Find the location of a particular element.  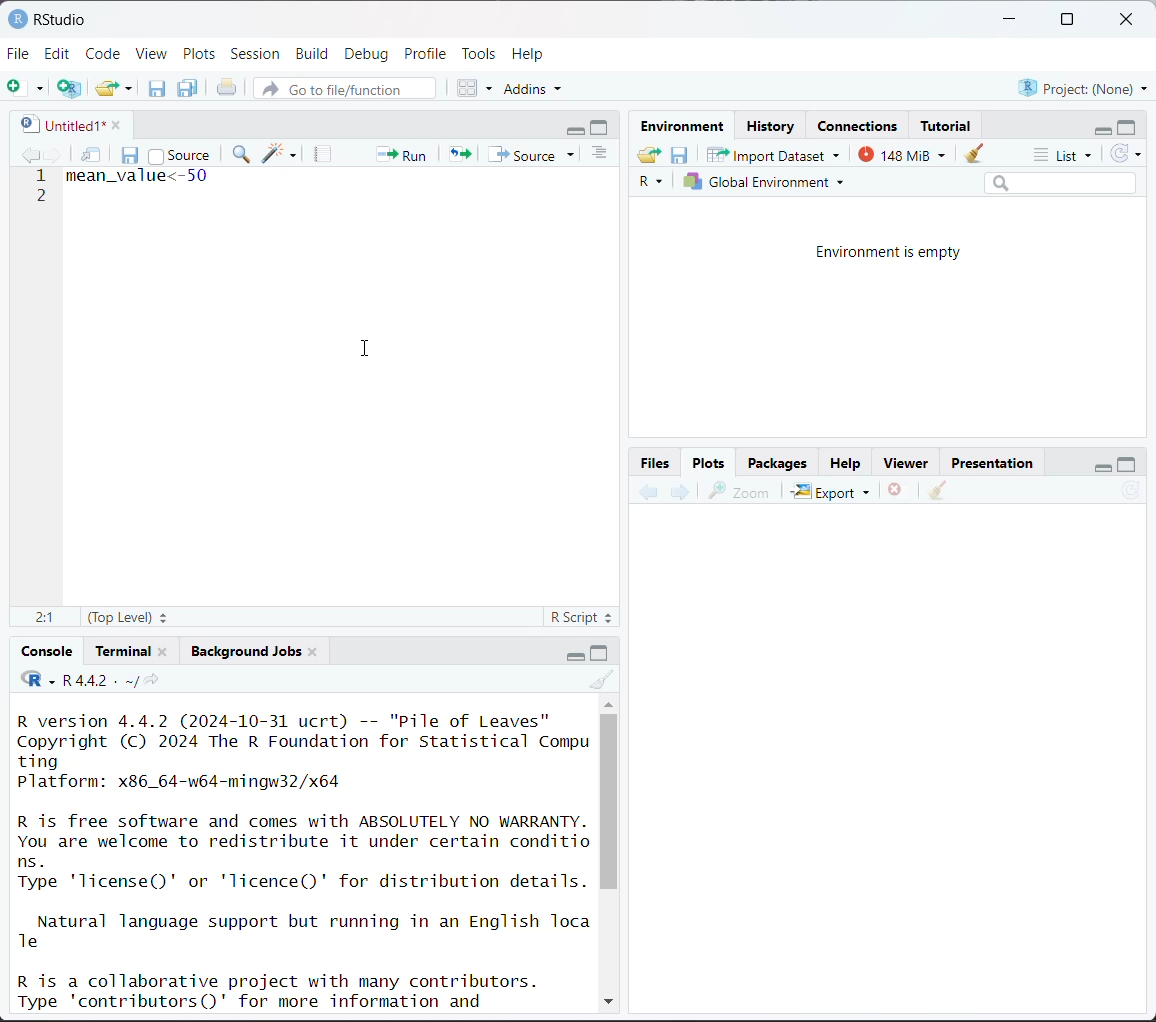

untitled1 is located at coordinates (58, 124).